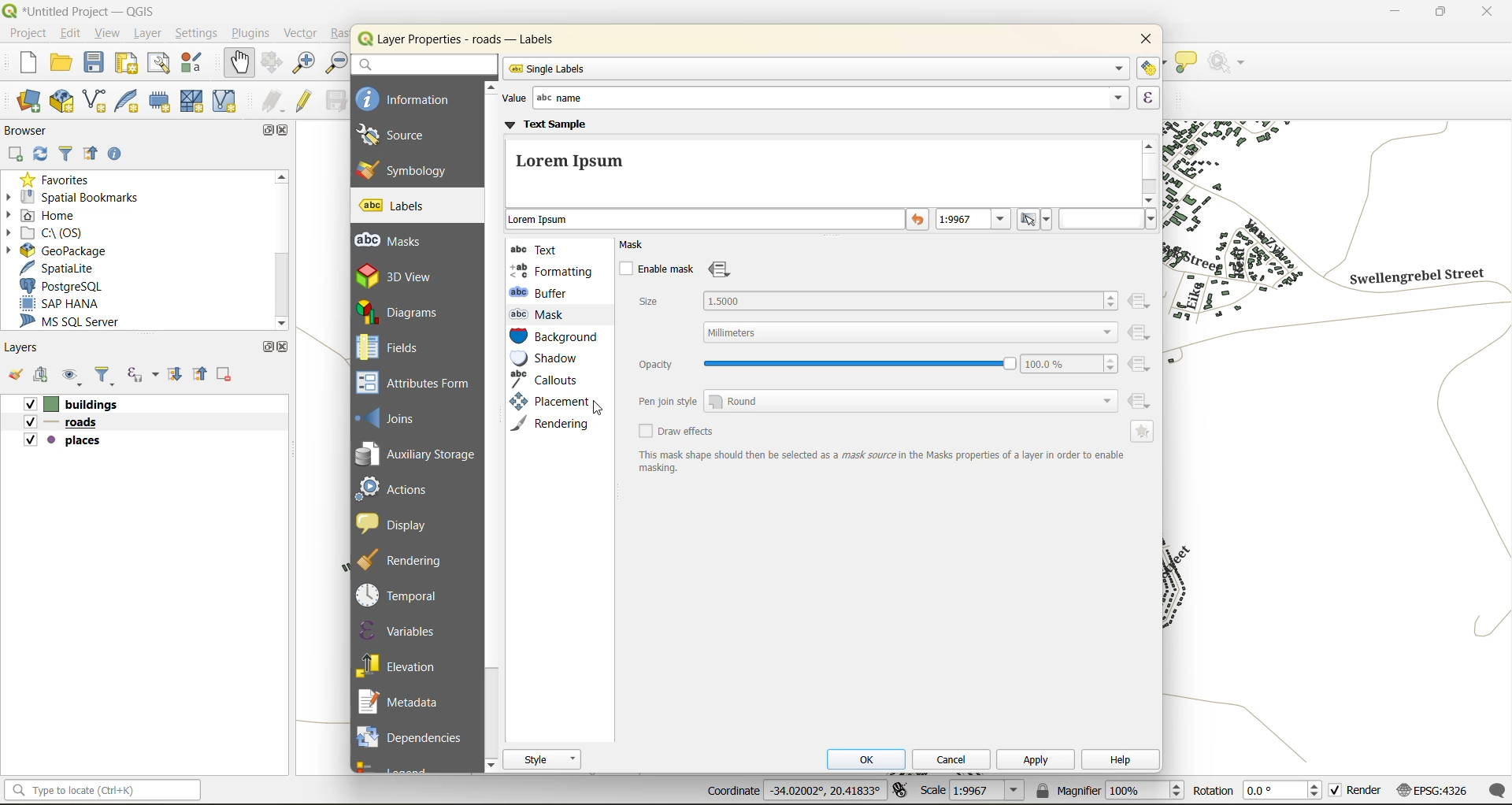 The image size is (1512, 805). What do you see at coordinates (405, 703) in the screenshot?
I see `metadata` at bounding box center [405, 703].